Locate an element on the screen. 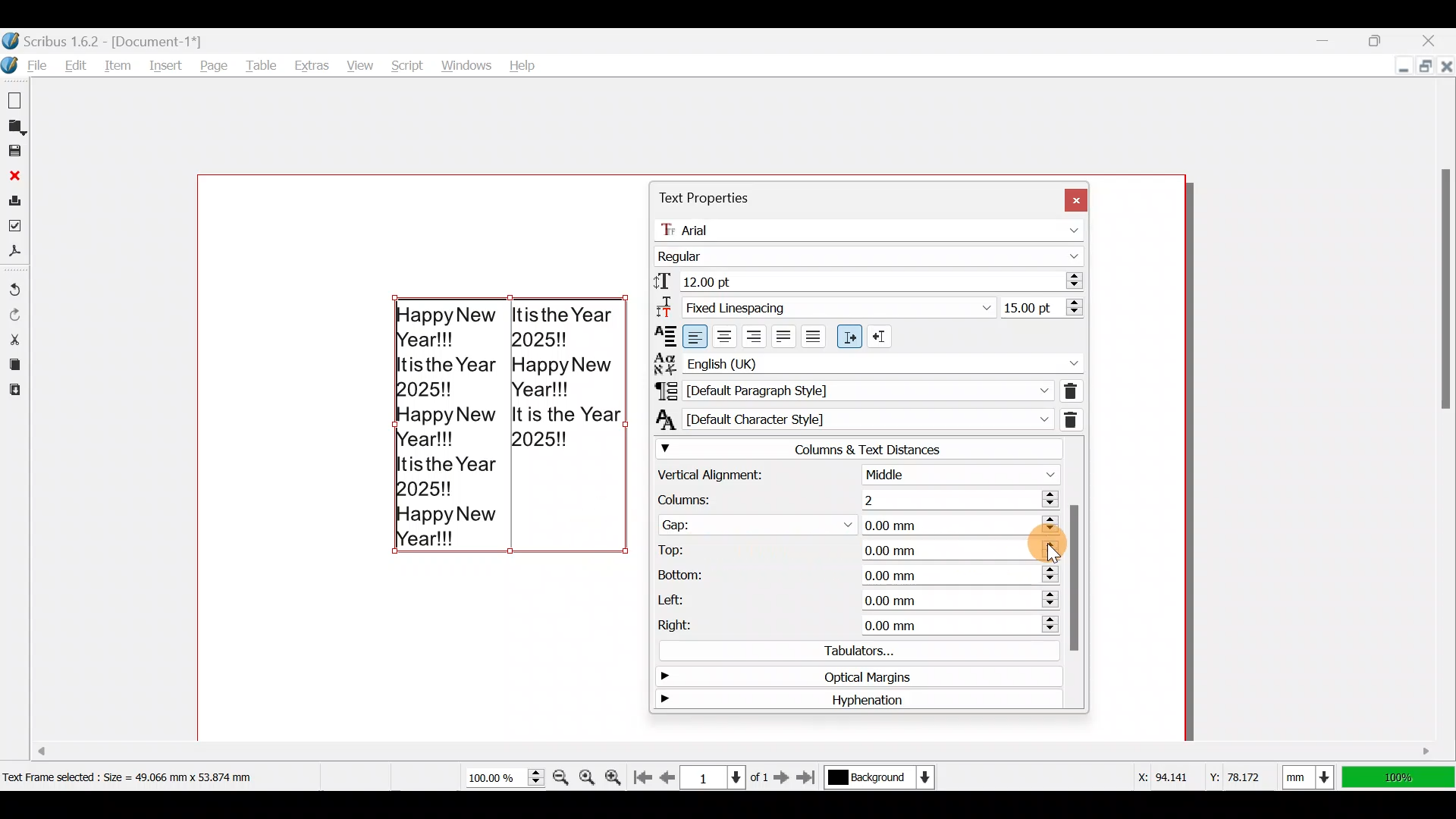  Cut is located at coordinates (14, 338).